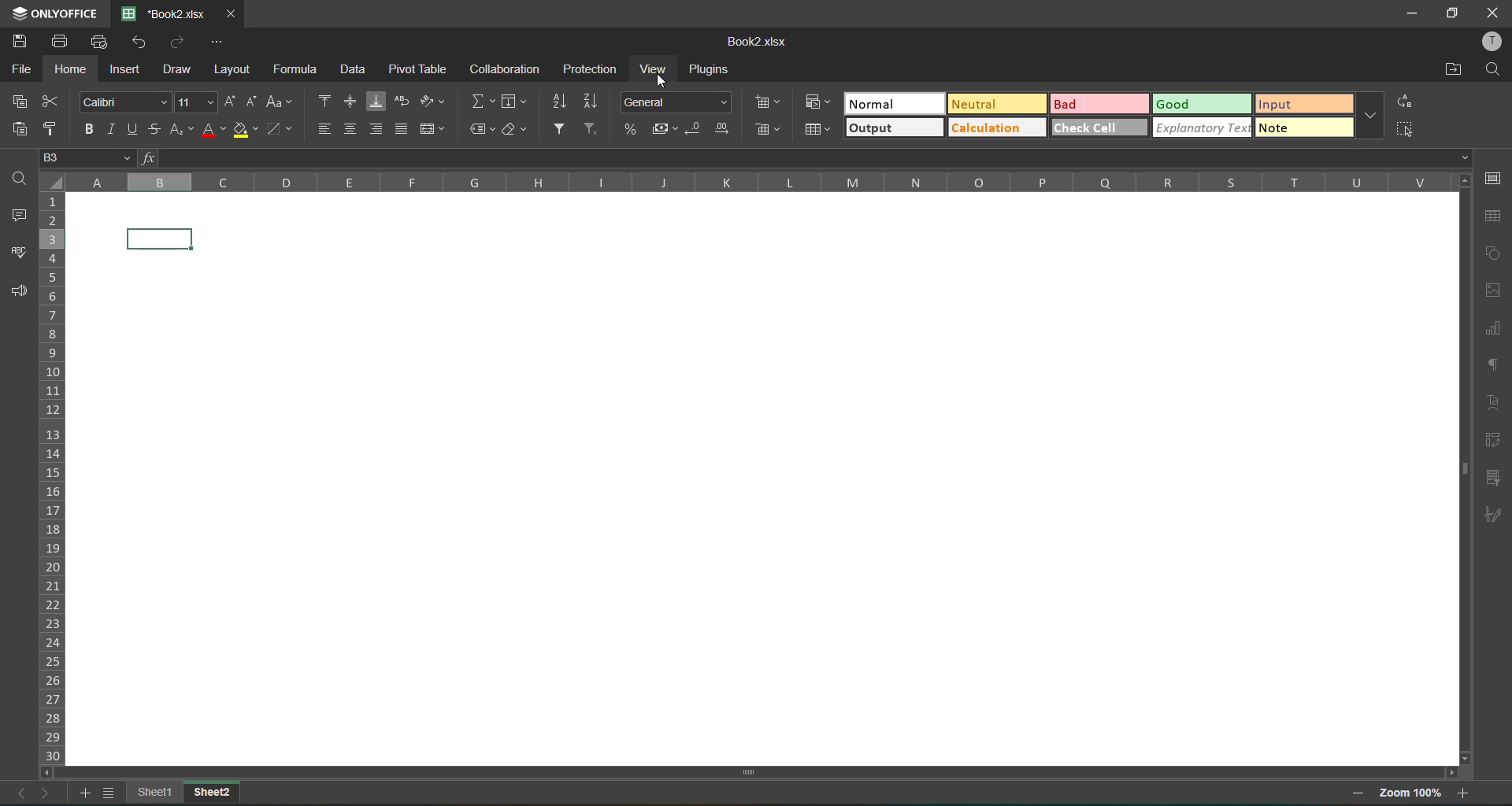  Describe the element at coordinates (90, 130) in the screenshot. I see `bold` at that location.